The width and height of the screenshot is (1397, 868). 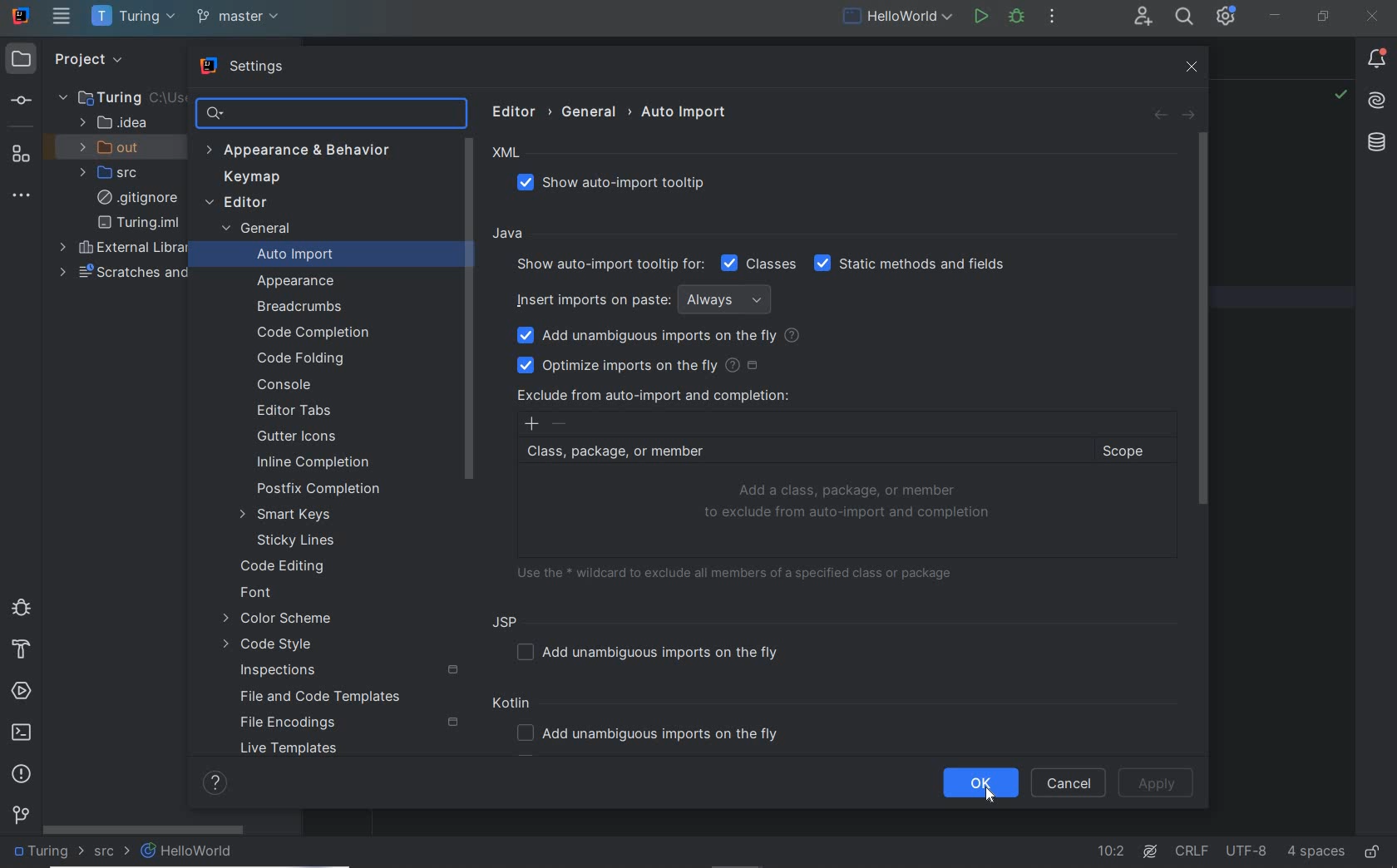 What do you see at coordinates (132, 17) in the screenshot?
I see `Turing(project name)` at bounding box center [132, 17].